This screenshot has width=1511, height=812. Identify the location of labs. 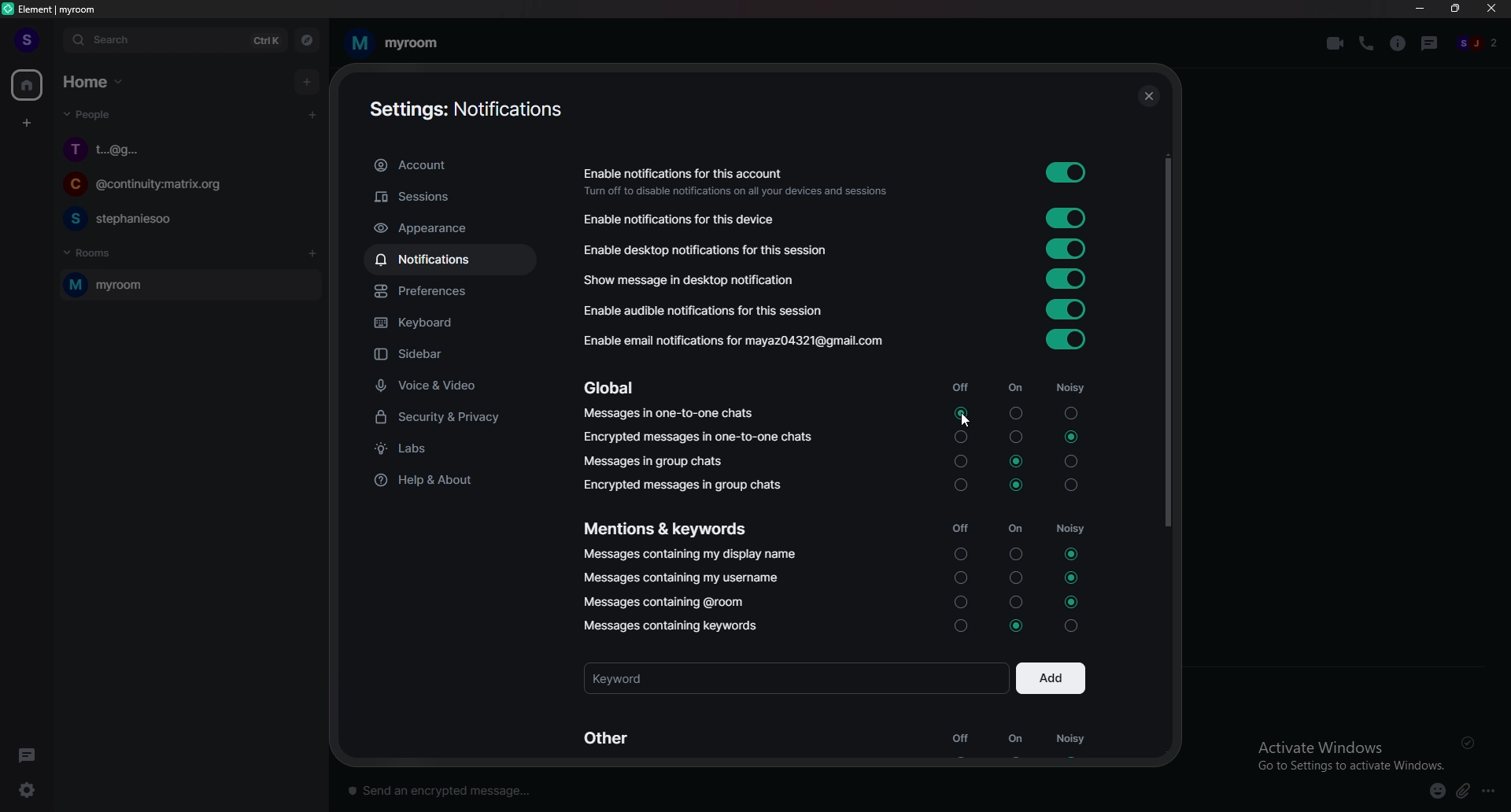
(447, 448).